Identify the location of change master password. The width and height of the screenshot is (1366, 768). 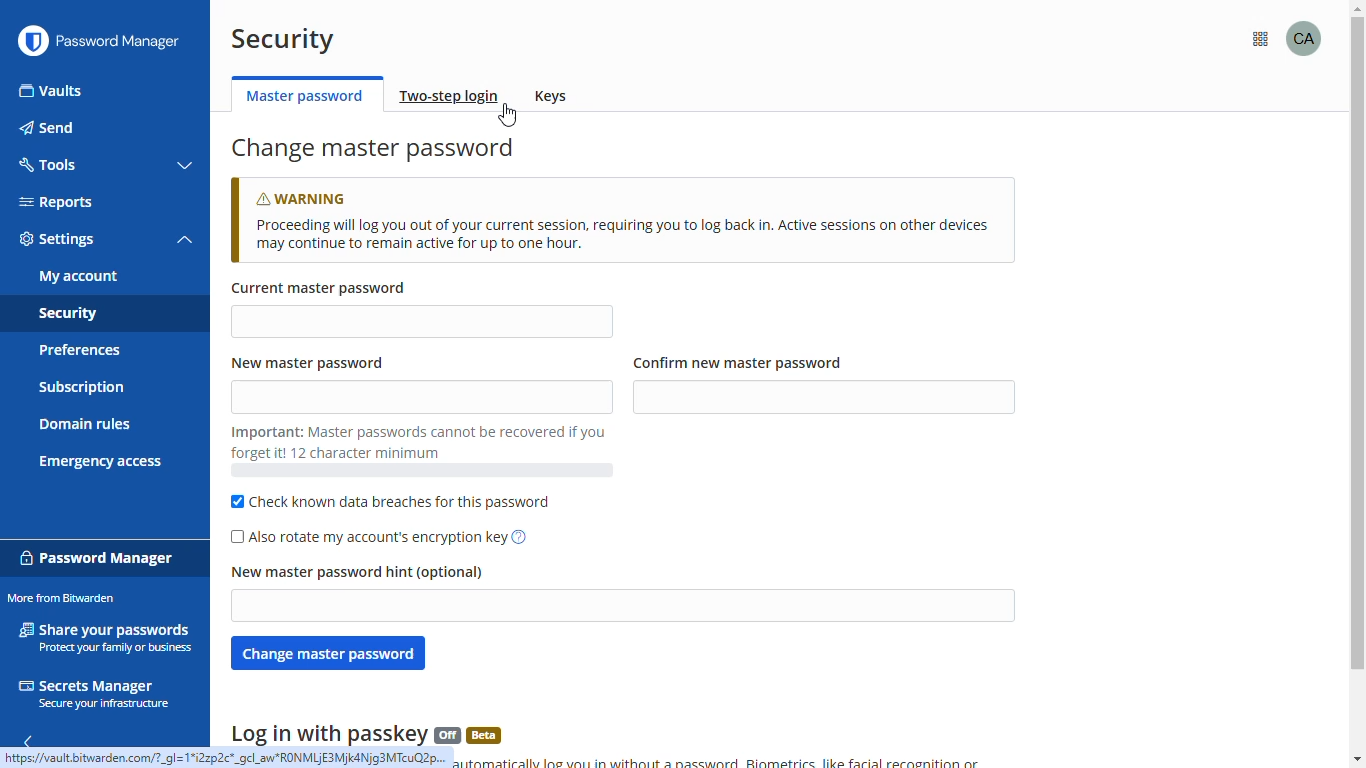
(373, 151).